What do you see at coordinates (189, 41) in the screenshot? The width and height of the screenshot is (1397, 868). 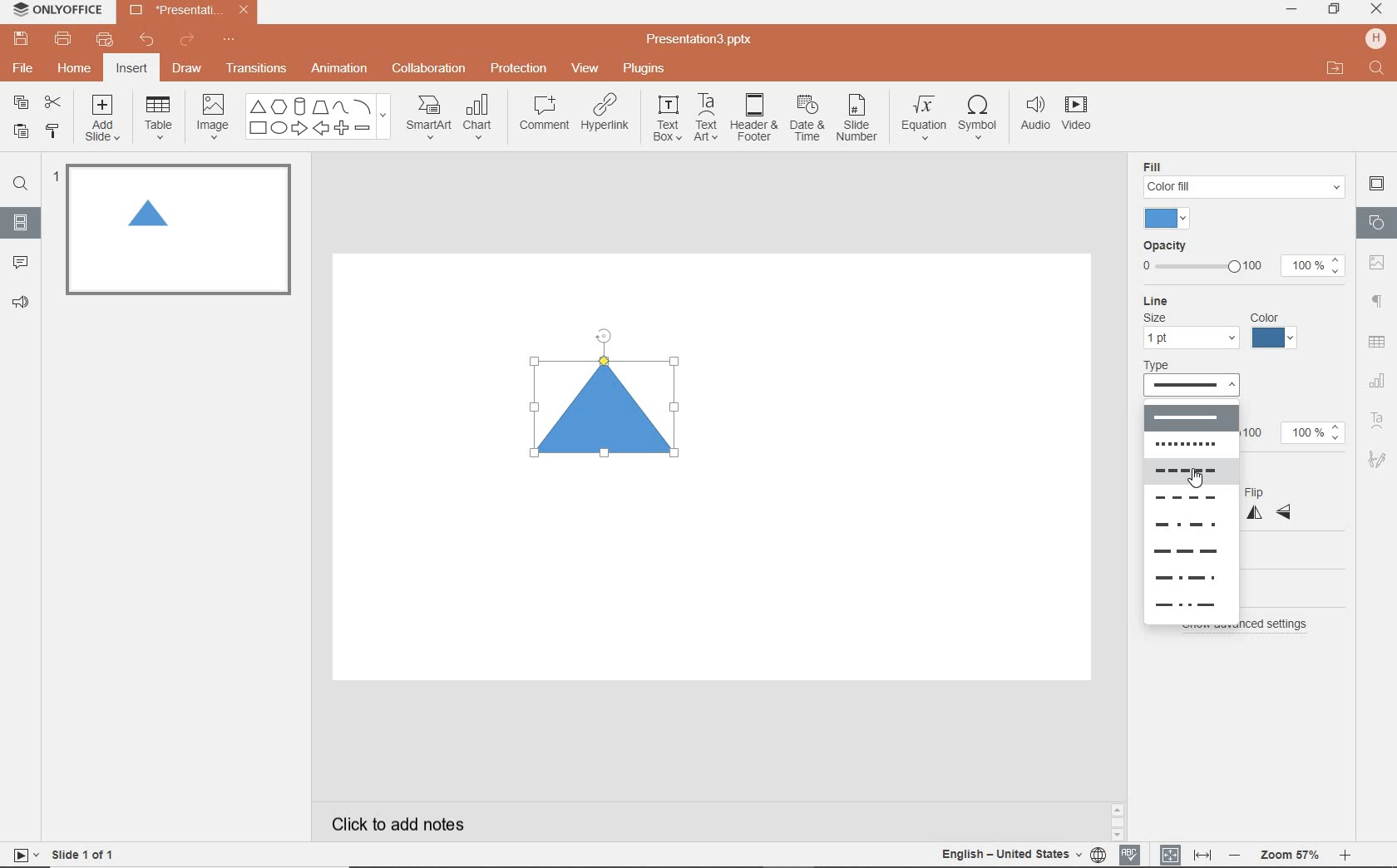 I see `REDO` at bounding box center [189, 41].